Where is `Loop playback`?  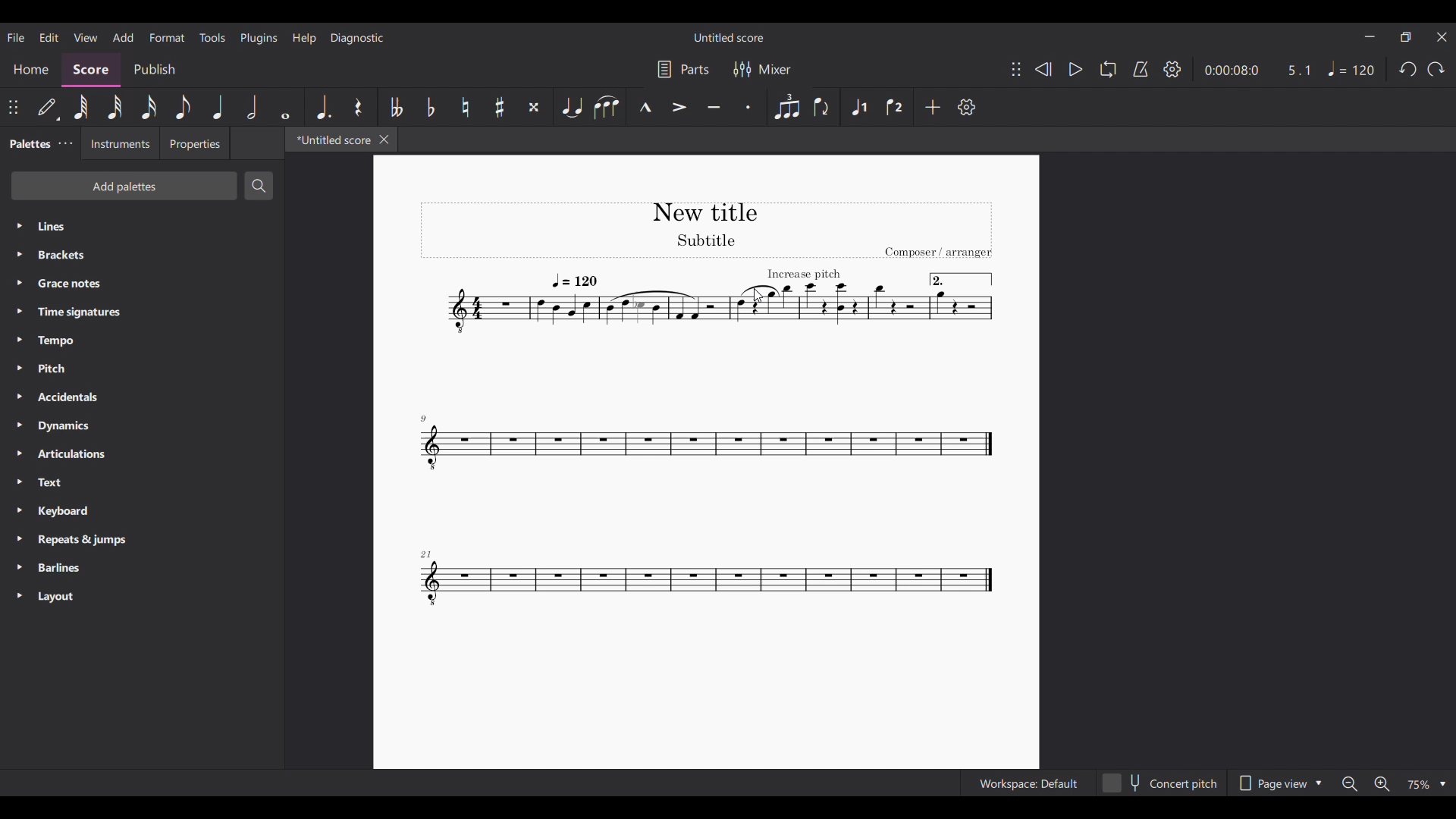
Loop playback is located at coordinates (1108, 69).